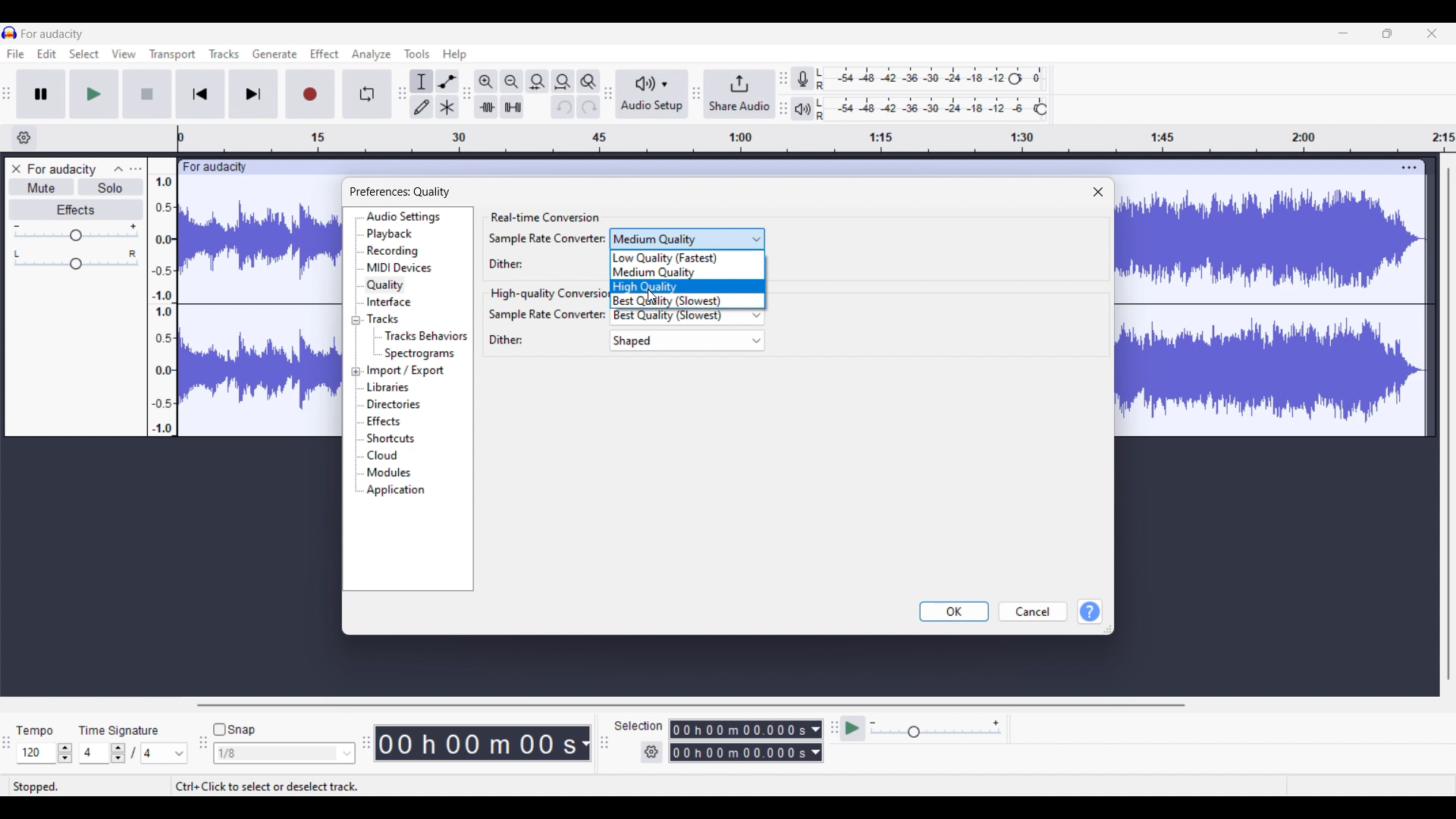 The width and height of the screenshot is (1456, 819). What do you see at coordinates (383, 455) in the screenshot?
I see `Cloud` at bounding box center [383, 455].